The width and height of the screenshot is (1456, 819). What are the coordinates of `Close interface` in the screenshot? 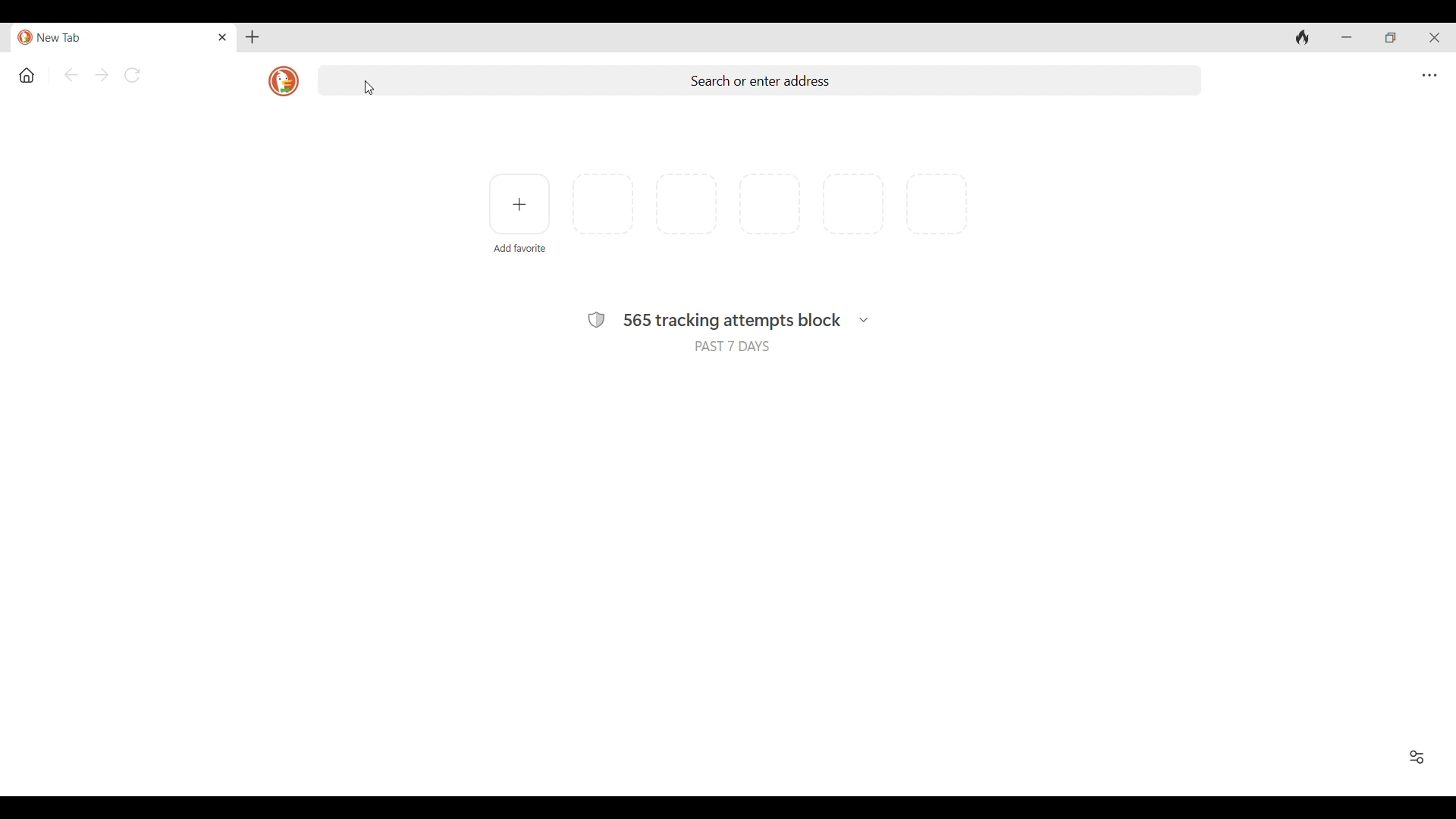 It's located at (1435, 38).